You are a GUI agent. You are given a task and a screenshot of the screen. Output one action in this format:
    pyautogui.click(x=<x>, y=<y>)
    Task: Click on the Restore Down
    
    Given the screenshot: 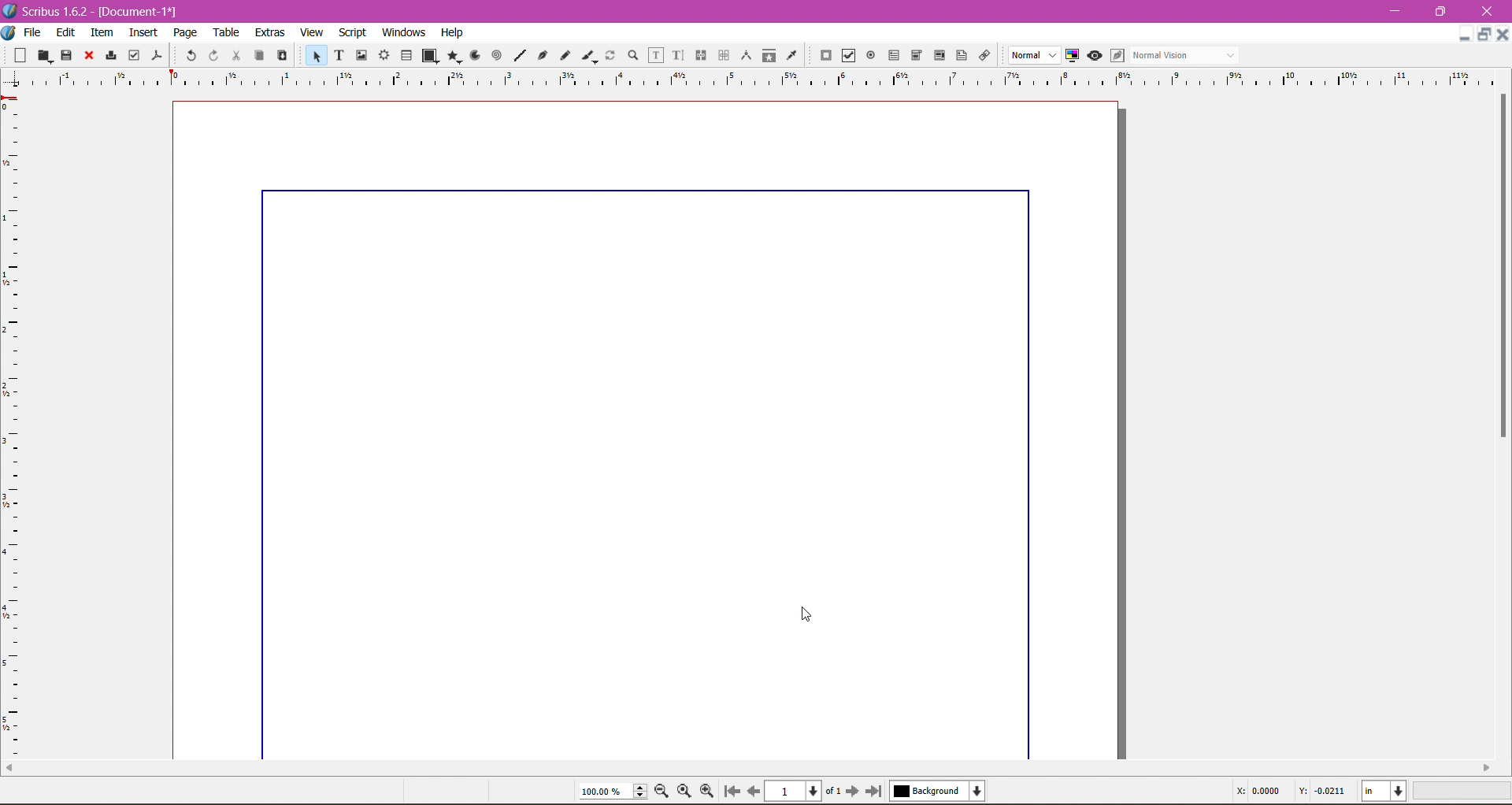 What is the action you would take?
    pyautogui.click(x=1439, y=12)
    